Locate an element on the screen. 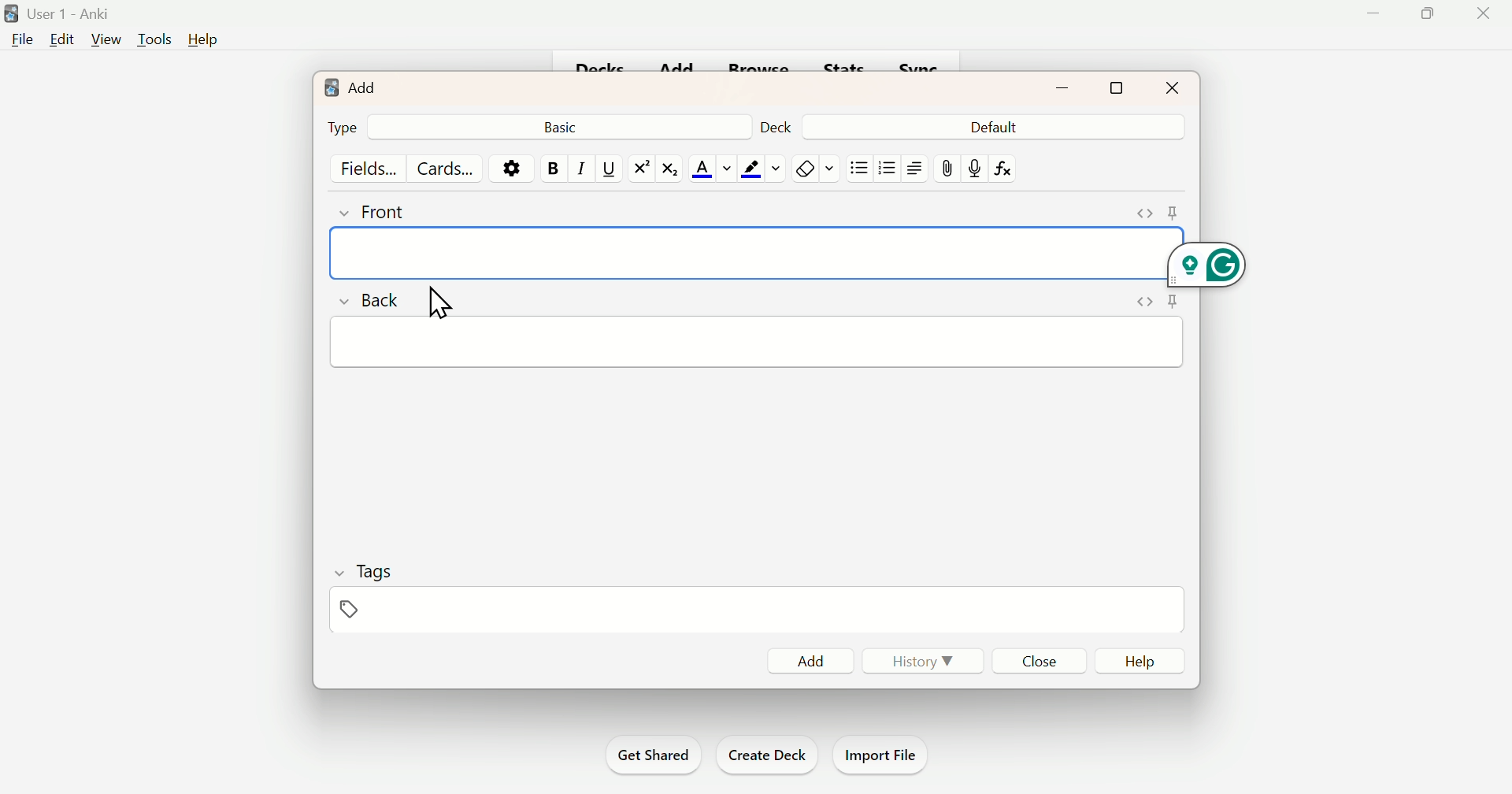 This screenshot has width=1512, height=794. Default is located at coordinates (991, 128).